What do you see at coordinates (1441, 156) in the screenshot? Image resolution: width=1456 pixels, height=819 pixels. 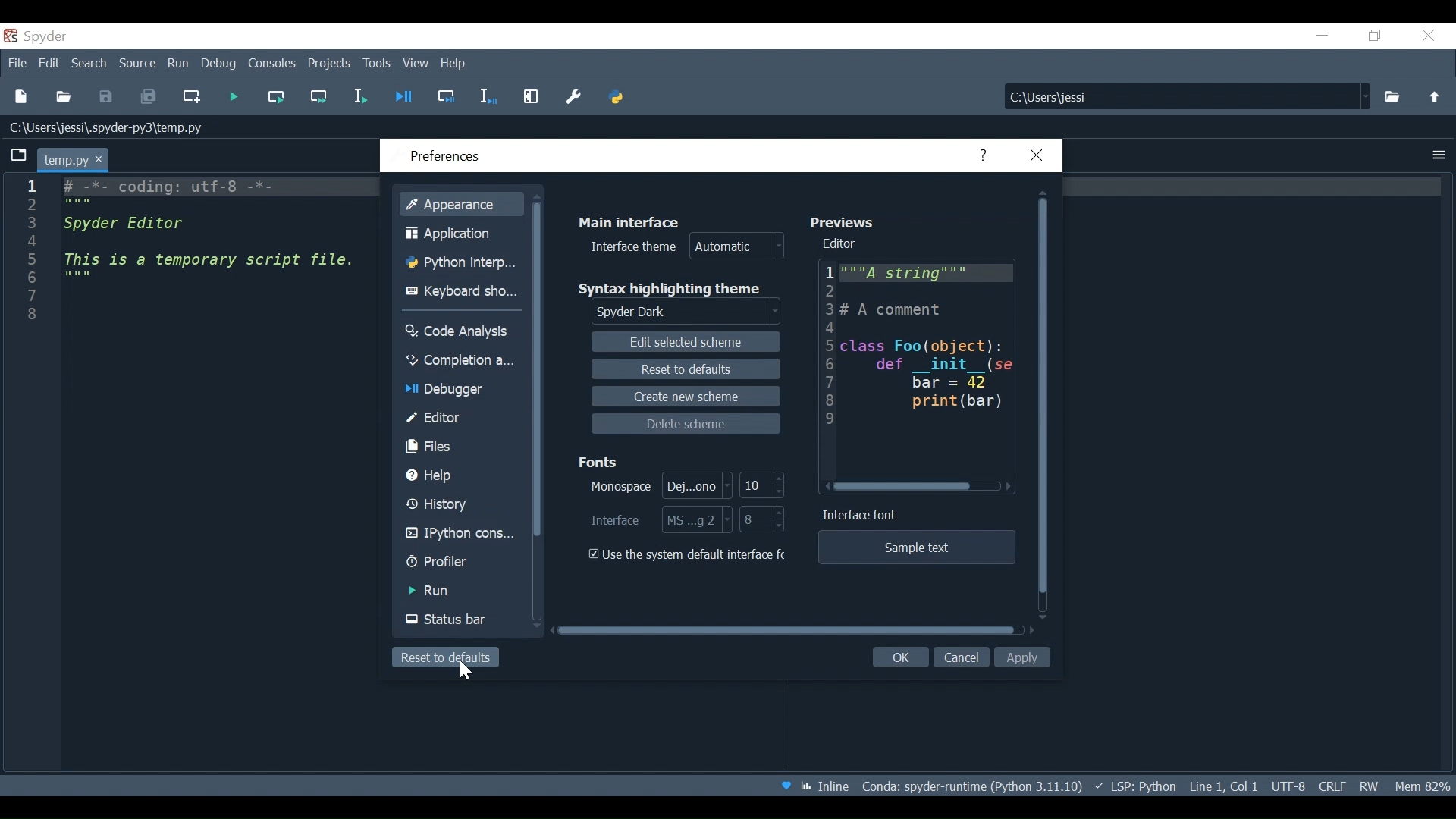 I see `Options` at bounding box center [1441, 156].